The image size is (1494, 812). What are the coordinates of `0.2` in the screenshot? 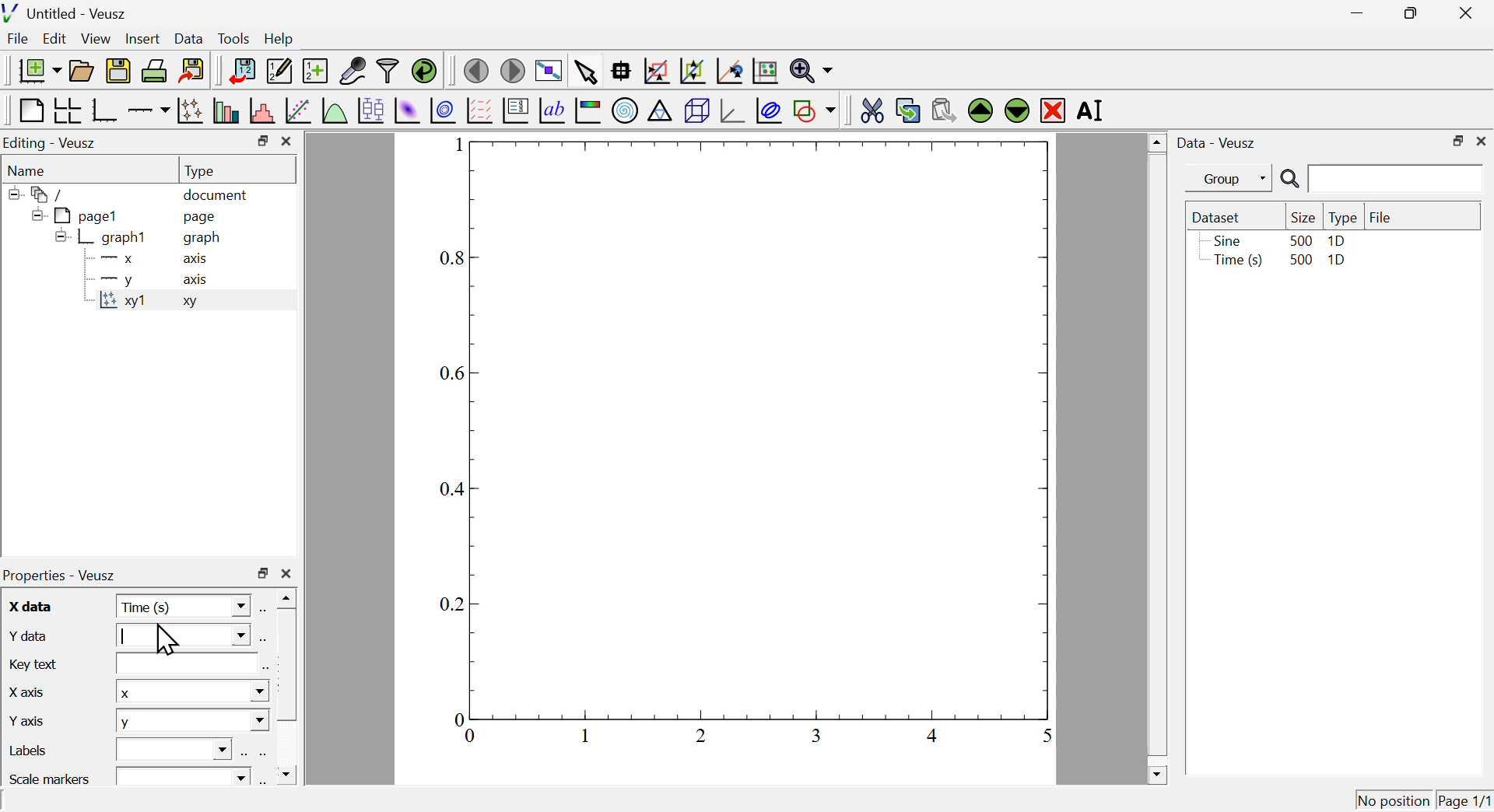 It's located at (452, 604).